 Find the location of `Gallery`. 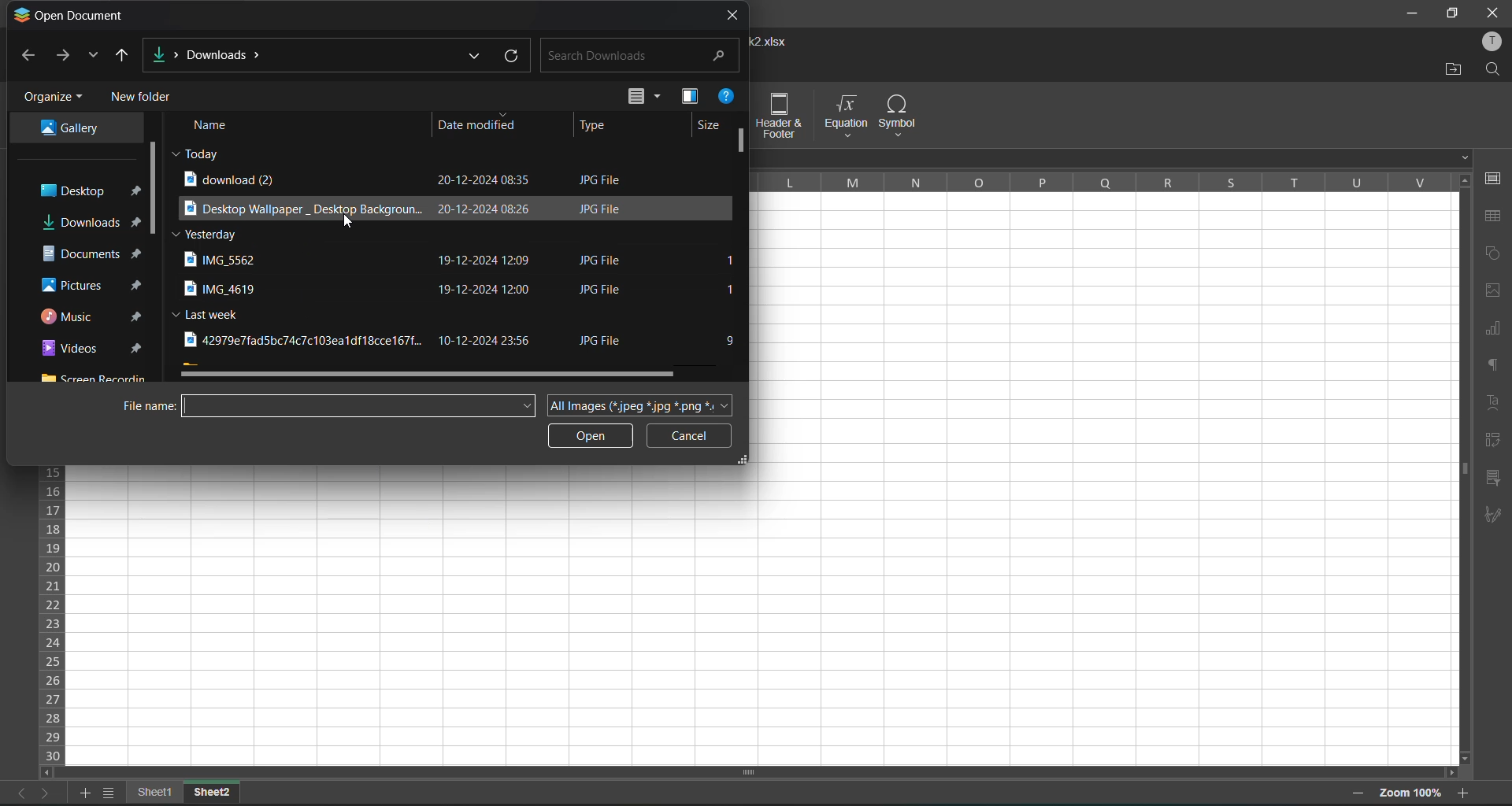

Gallery is located at coordinates (77, 128).